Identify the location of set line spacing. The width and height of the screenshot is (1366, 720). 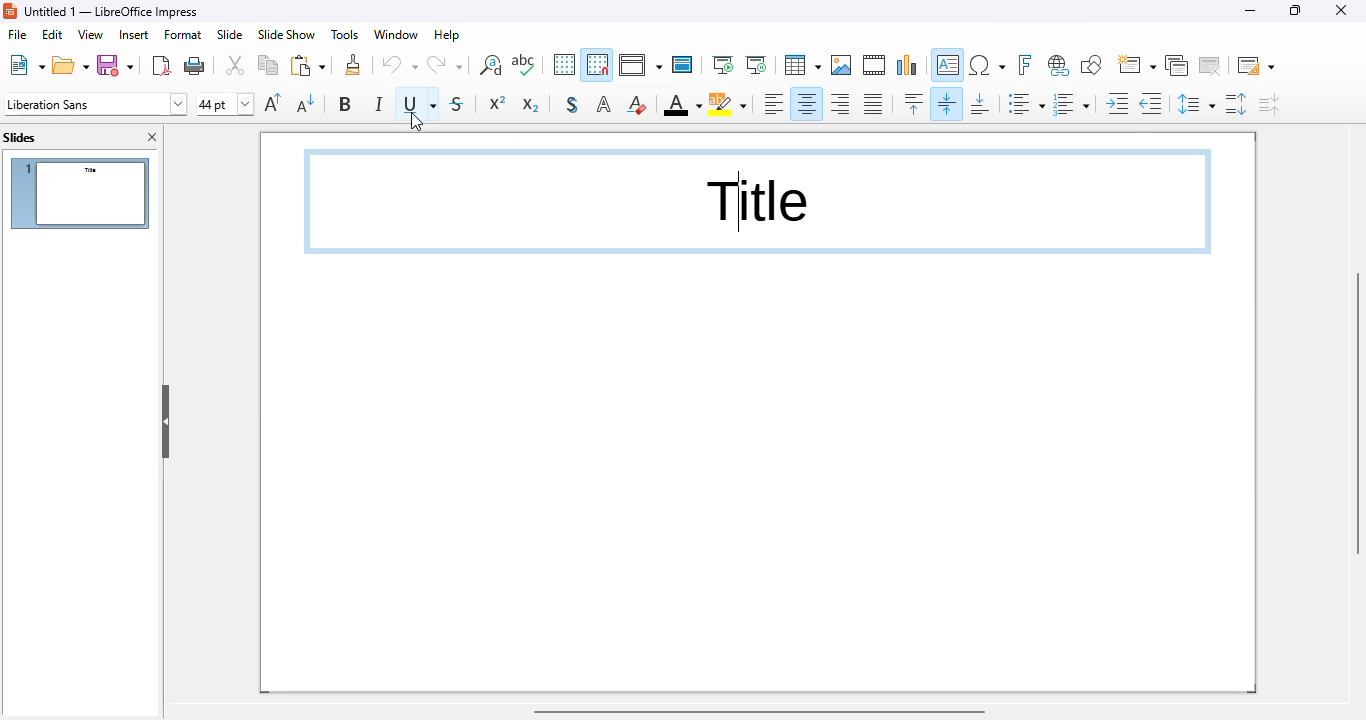
(1196, 104).